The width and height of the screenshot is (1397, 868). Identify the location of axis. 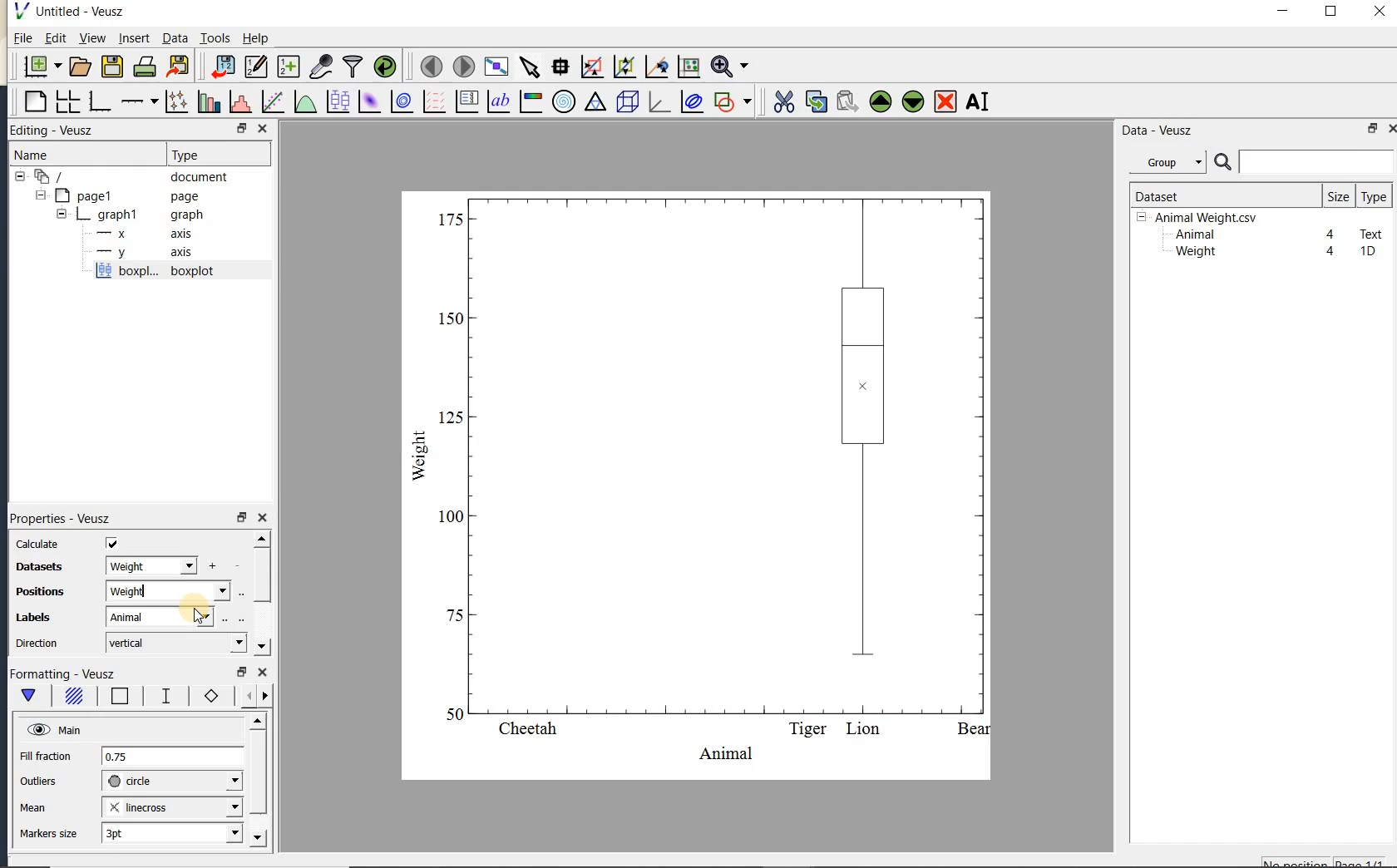
(140, 234).